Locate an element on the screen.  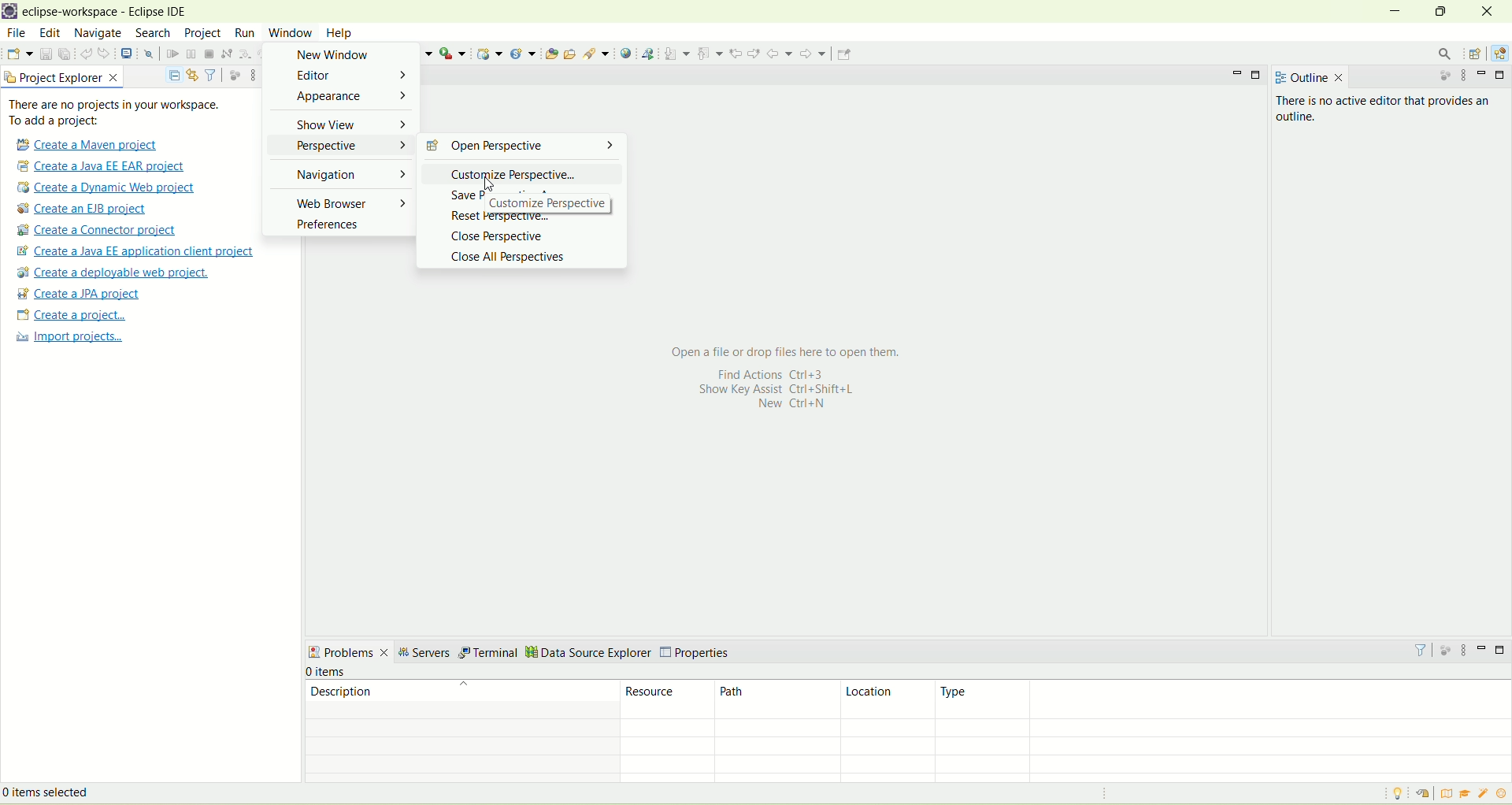
open perspective is located at coordinates (1477, 53).